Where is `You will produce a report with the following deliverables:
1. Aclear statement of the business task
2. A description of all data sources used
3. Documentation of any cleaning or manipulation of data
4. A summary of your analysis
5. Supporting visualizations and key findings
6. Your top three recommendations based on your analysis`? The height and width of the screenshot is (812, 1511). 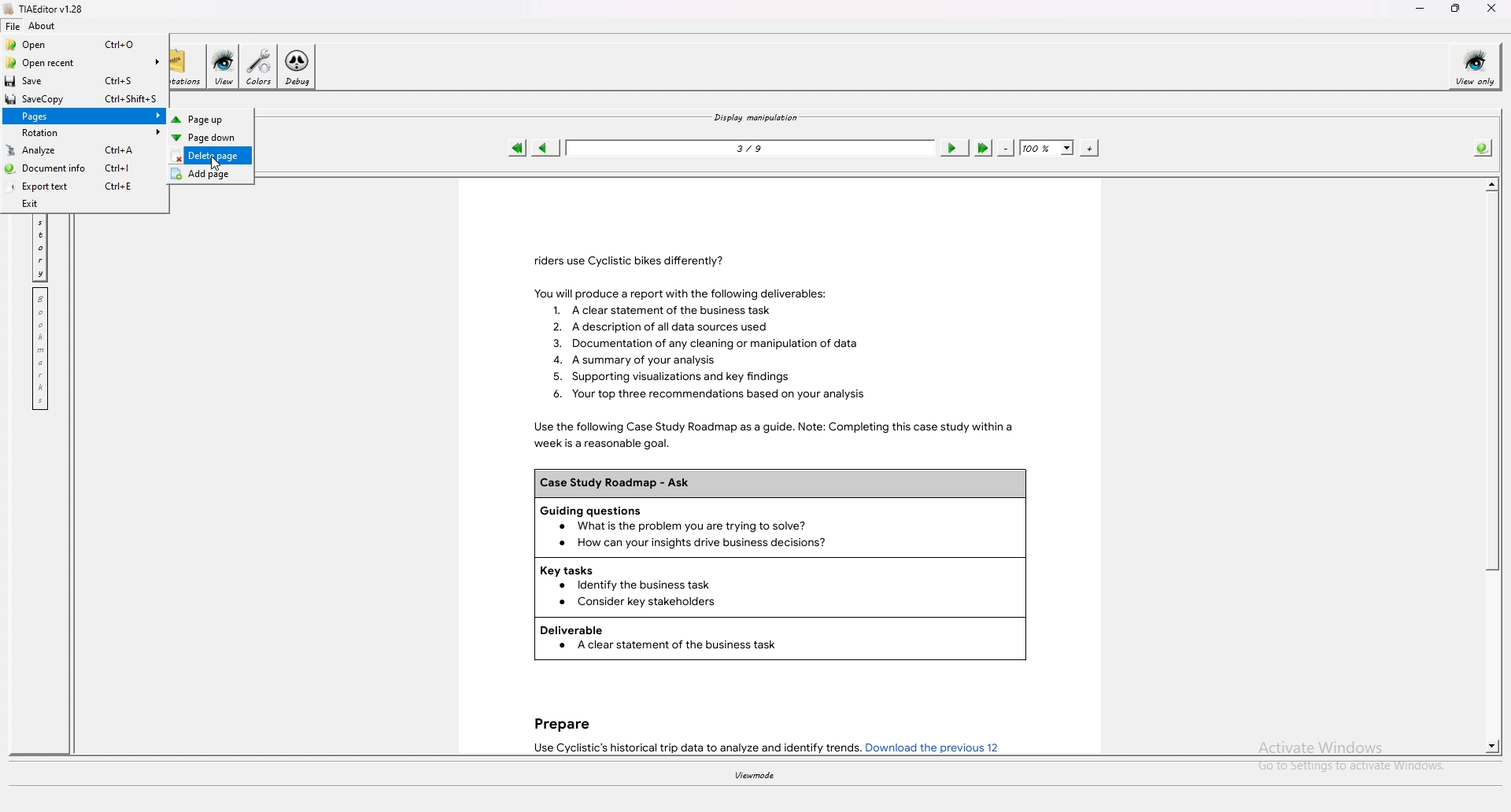 You will produce a report with the following deliverables:
1. Aclear statement of the business task
2. A description of all data sources used
3. Documentation of any cleaning or manipulation of data
4. A summary of your analysis
5. Supporting visualizations and key findings
6. Your top three recommendations based on your analysis is located at coordinates (711, 345).